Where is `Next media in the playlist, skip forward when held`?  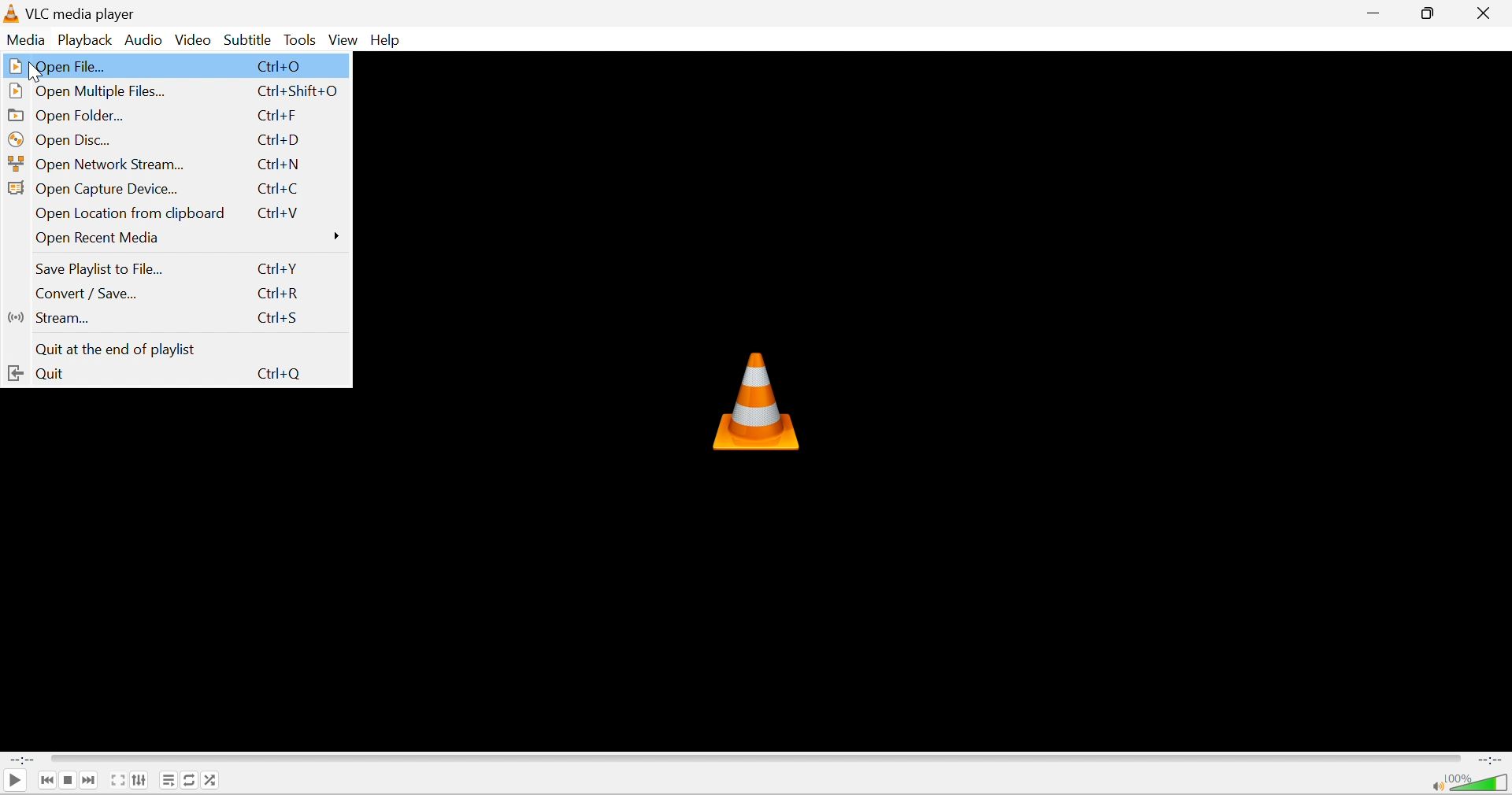 Next media in the playlist, skip forward when held is located at coordinates (90, 779).